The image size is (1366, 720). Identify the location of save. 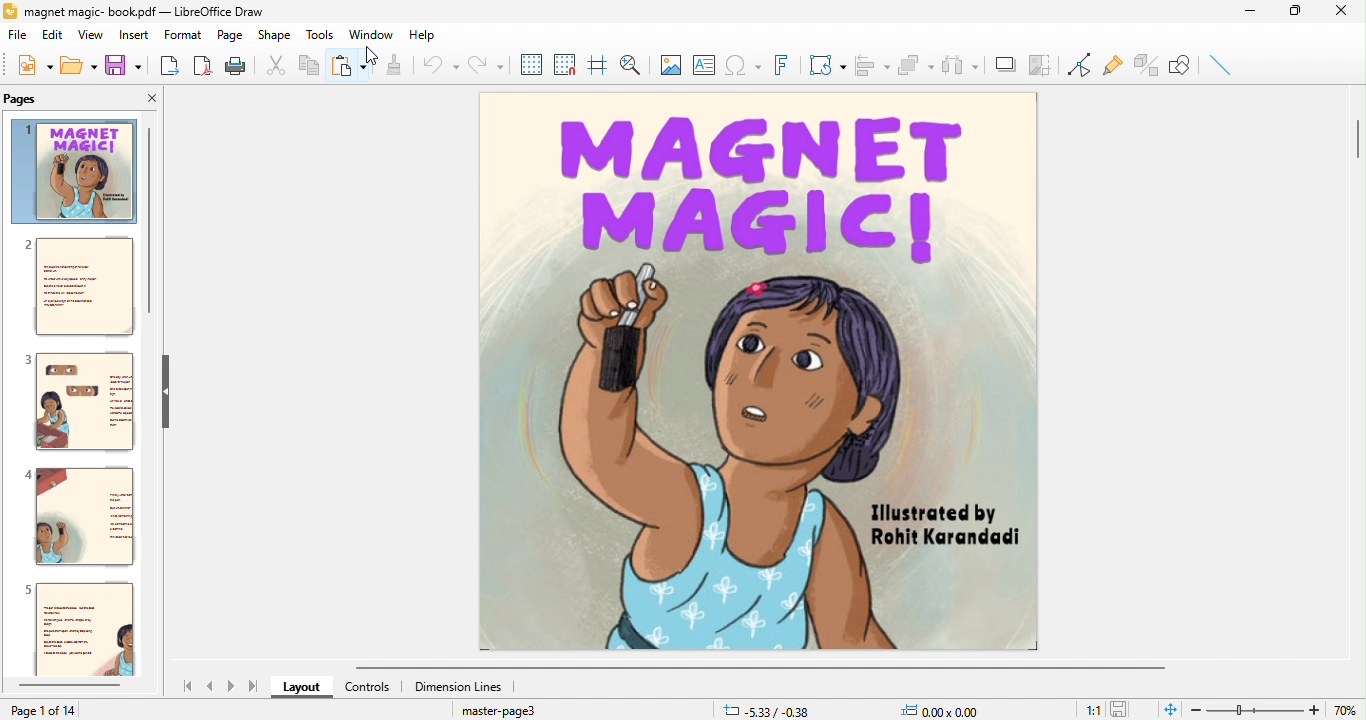
(126, 68).